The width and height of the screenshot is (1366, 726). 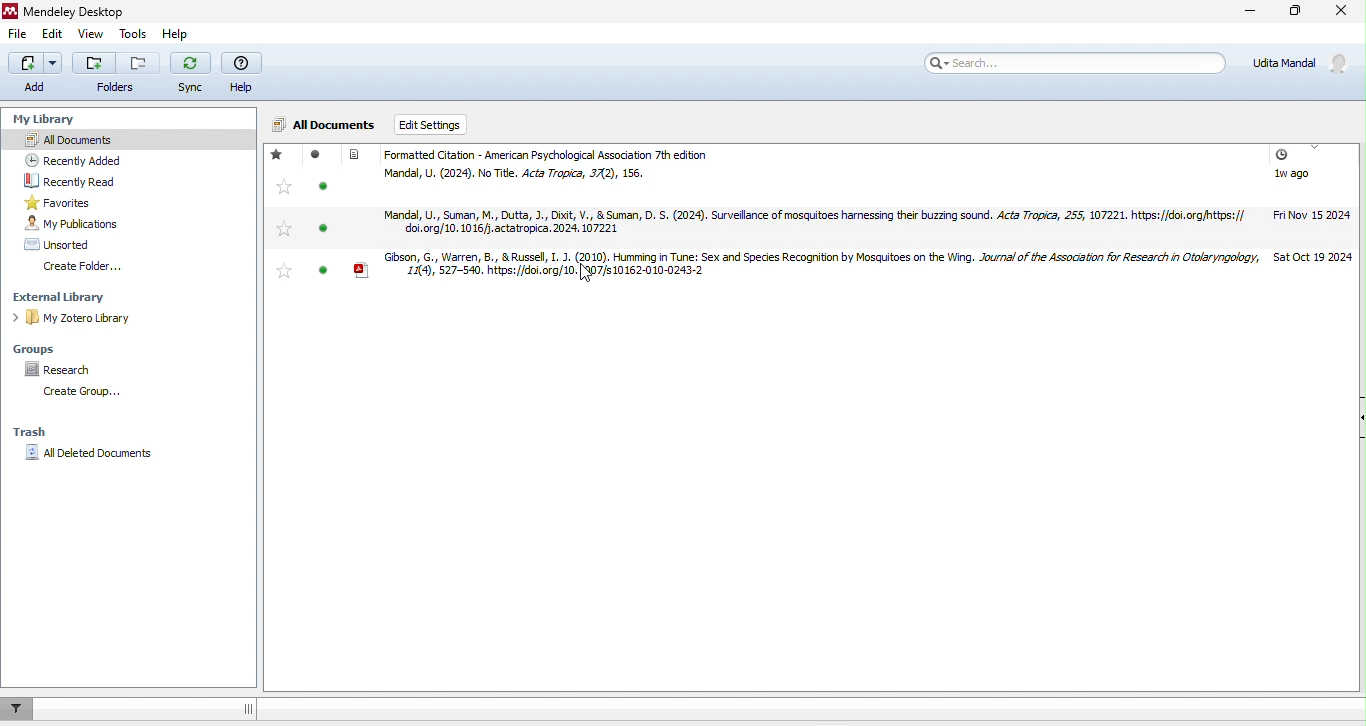 I want to click on cursor, so click(x=588, y=275).